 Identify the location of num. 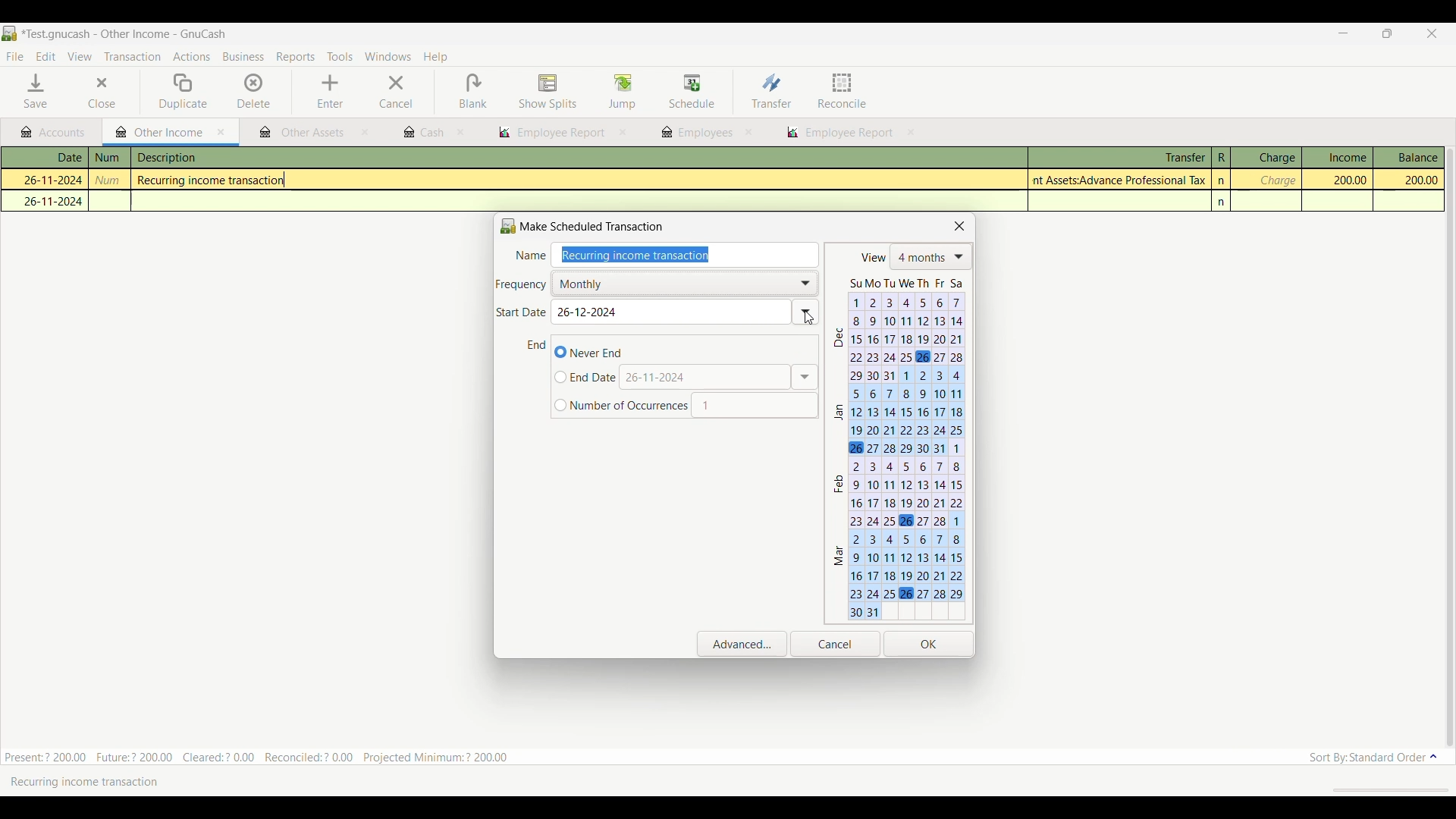
(111, 180).